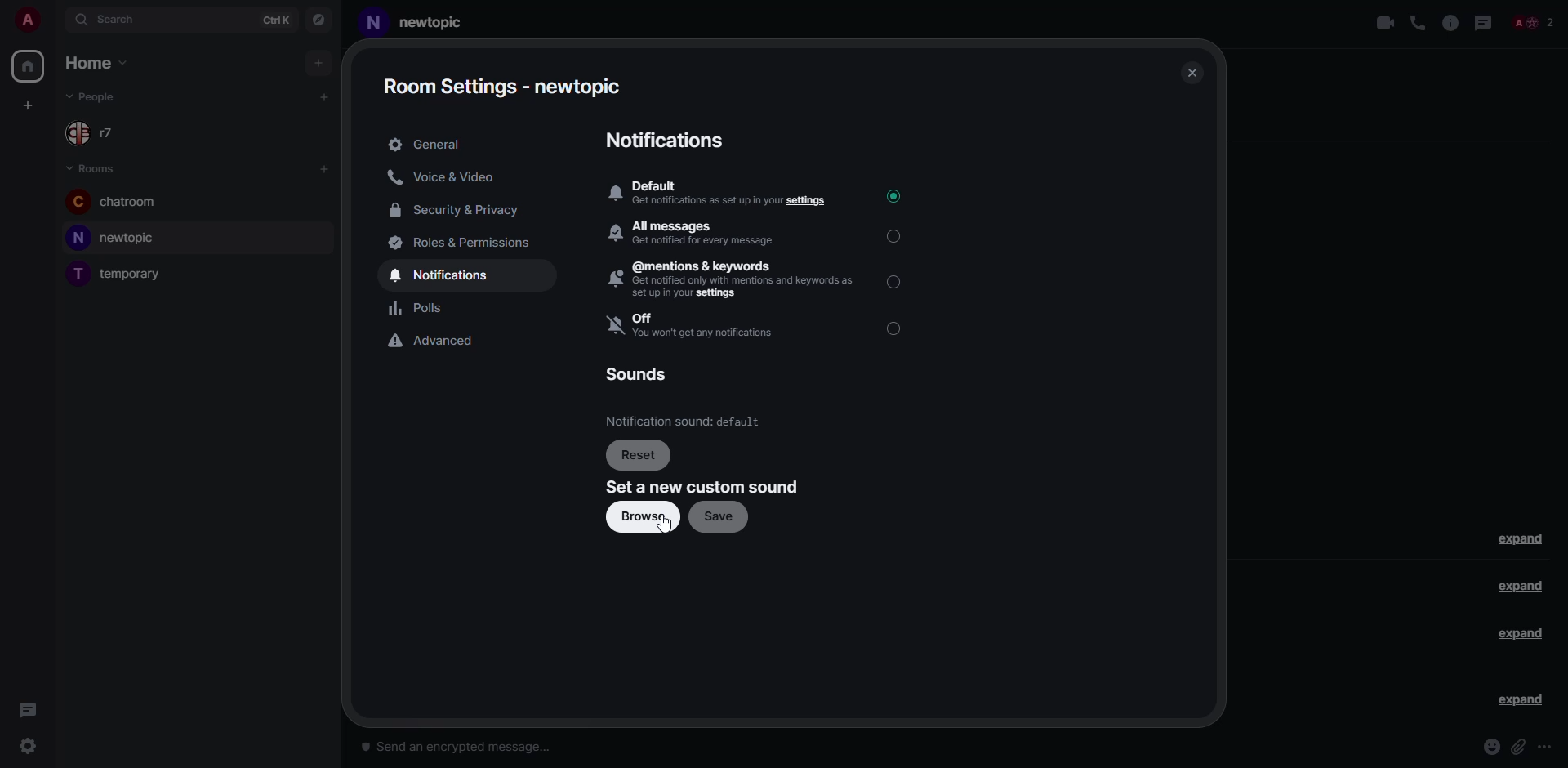  What do you see at coordinates (896, 328) in the screenshot?
I see `select` at bounding box center [896, 328].